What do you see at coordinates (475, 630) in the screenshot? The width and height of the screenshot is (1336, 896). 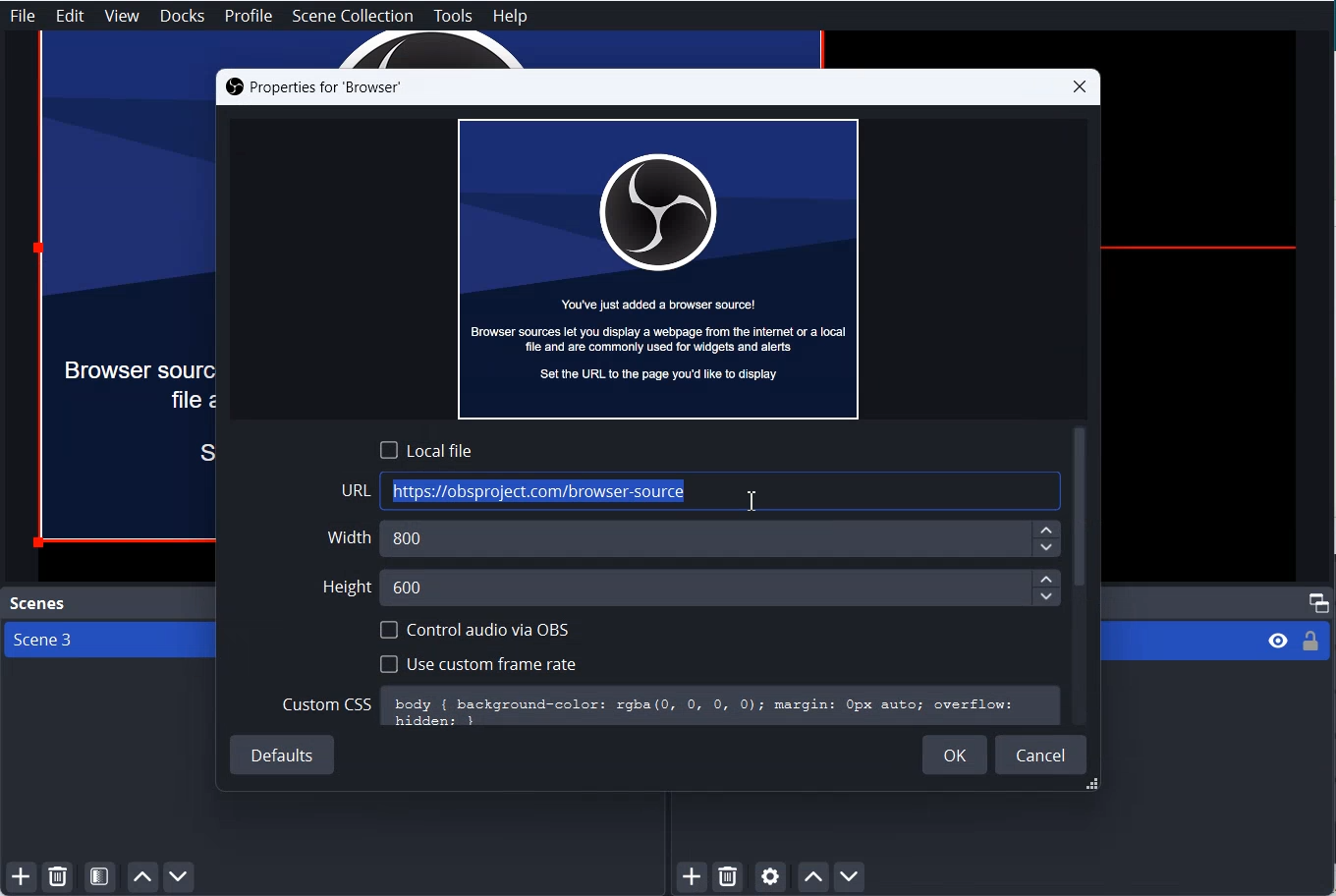 I see `(un)check Control audio via OBS` at bounding box center [475, 630].